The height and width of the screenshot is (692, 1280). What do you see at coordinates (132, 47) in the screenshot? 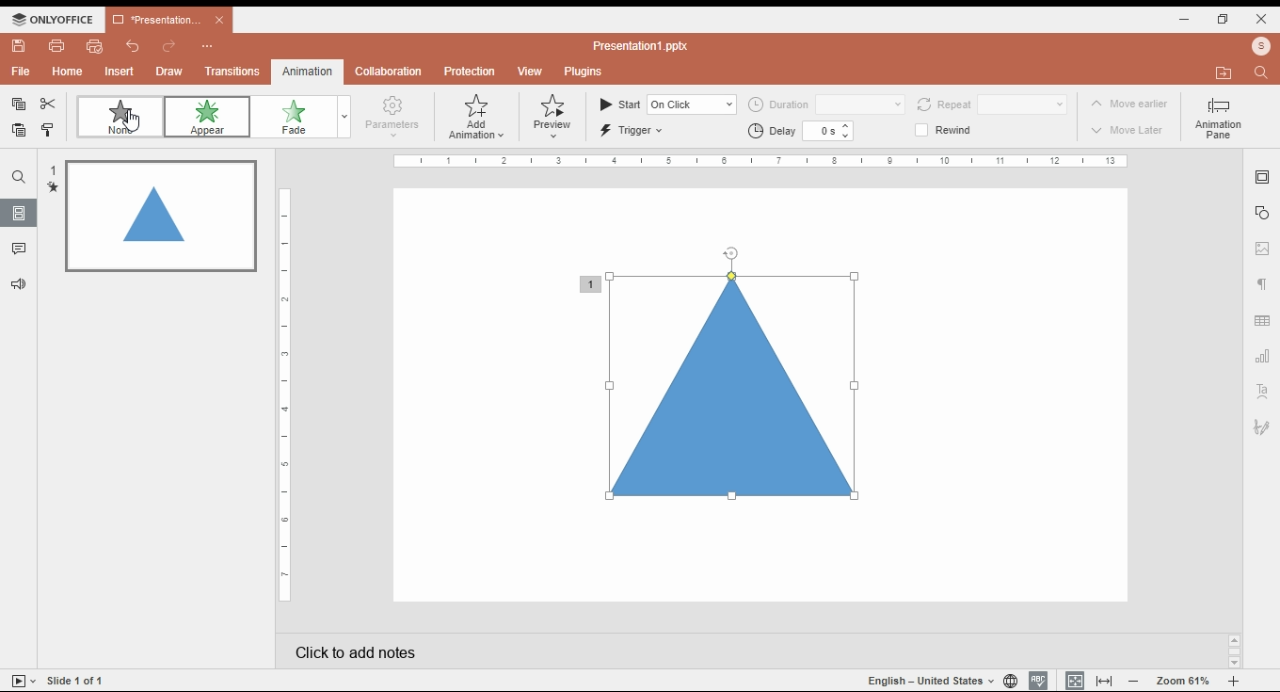
I see `undo` at bounding box center [132, 47].